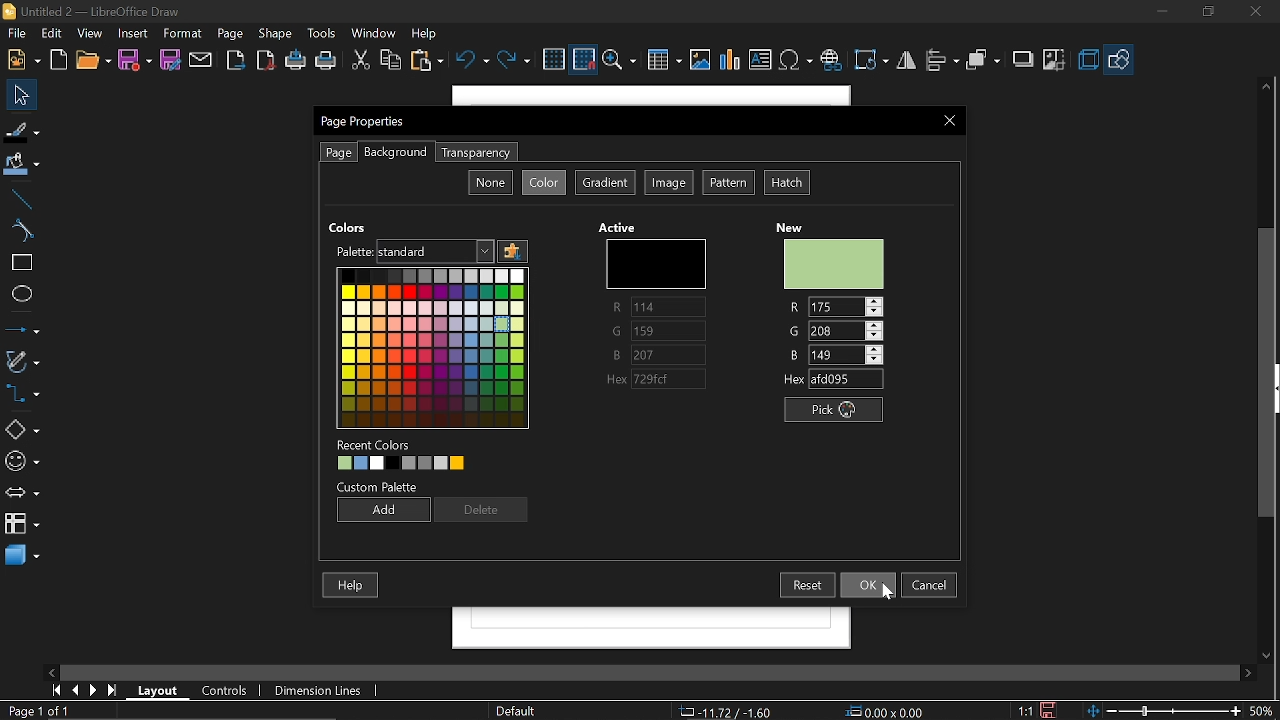  What do you see at coordinates (838, 411) in the screenshot?
I see `Pick` at bounding box center [838, 411].